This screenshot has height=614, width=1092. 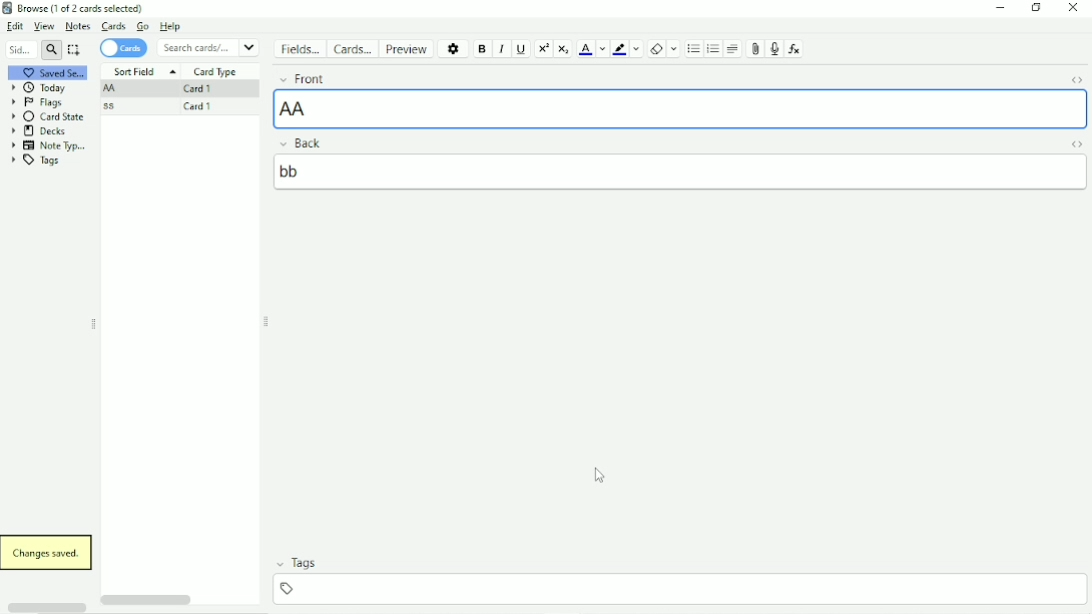 I want to click on Card Type, so click(x=217, y=72).